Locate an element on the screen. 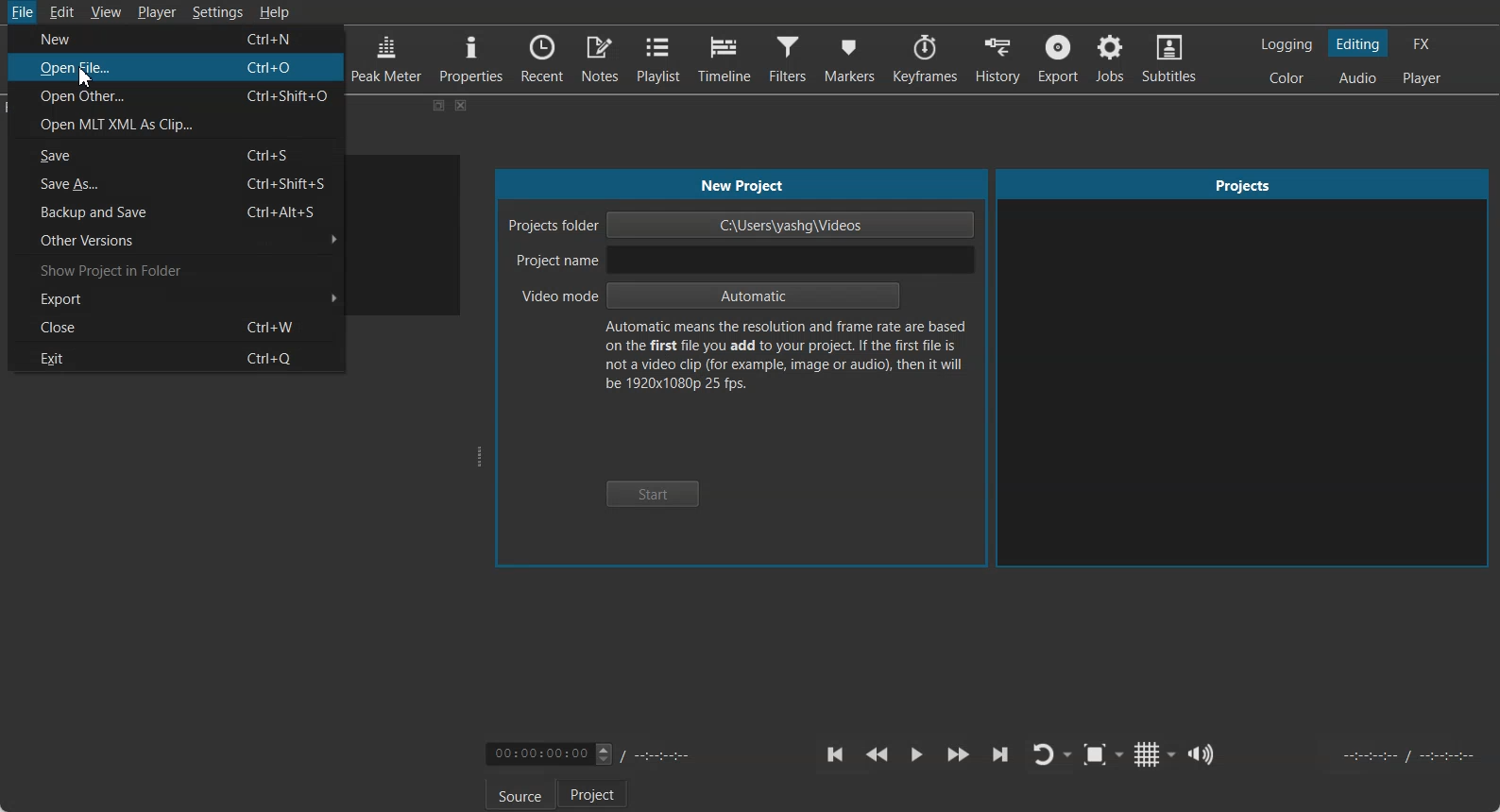 The image size is (1500, 812). Skip to the previous point is located at coordinates (836, 753).